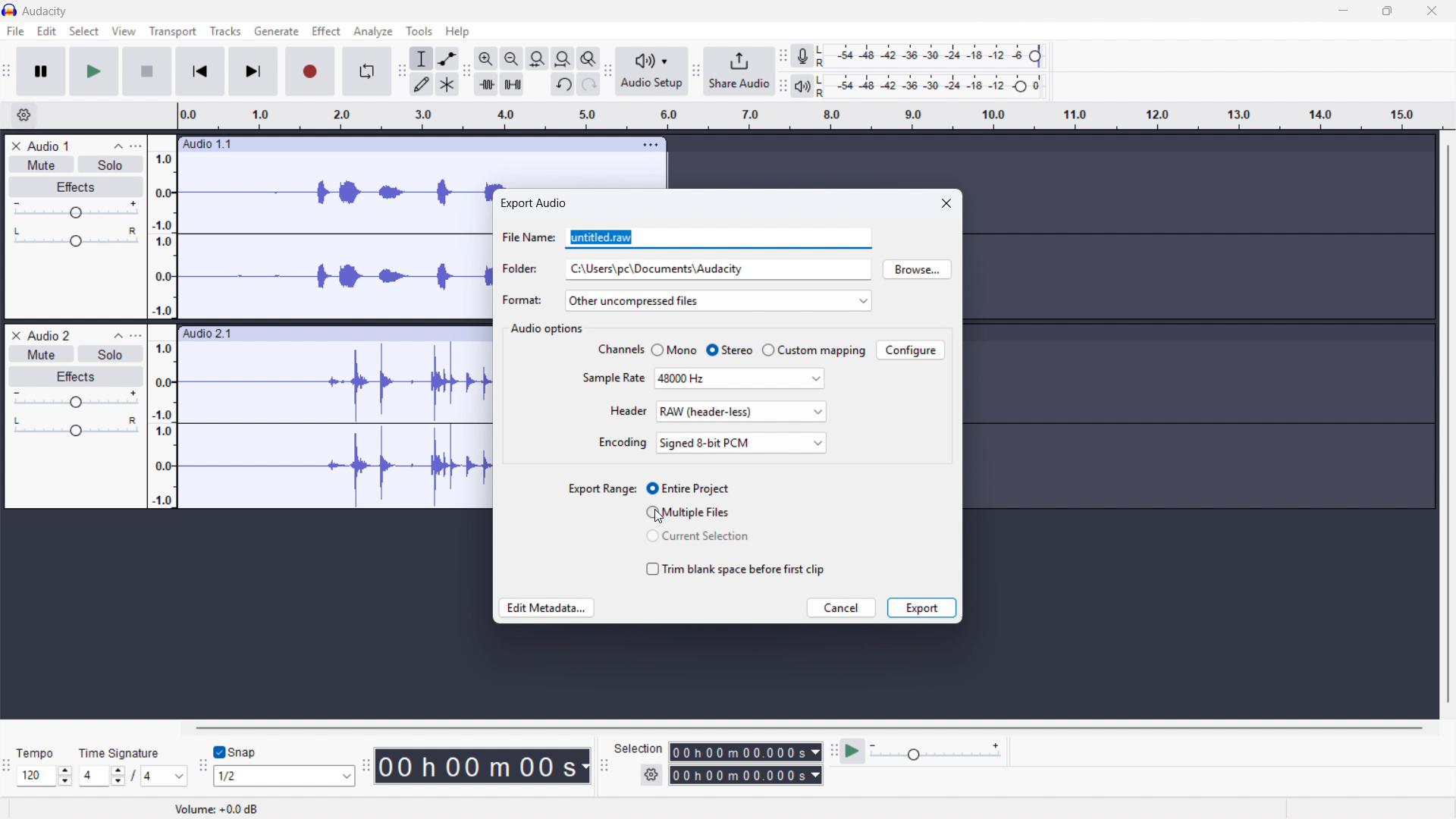 The height and width of the screenshot is (819, 1456). Describe the element at coordinates (16, 334) in the screenshot. I see `Remove track ` at that location.